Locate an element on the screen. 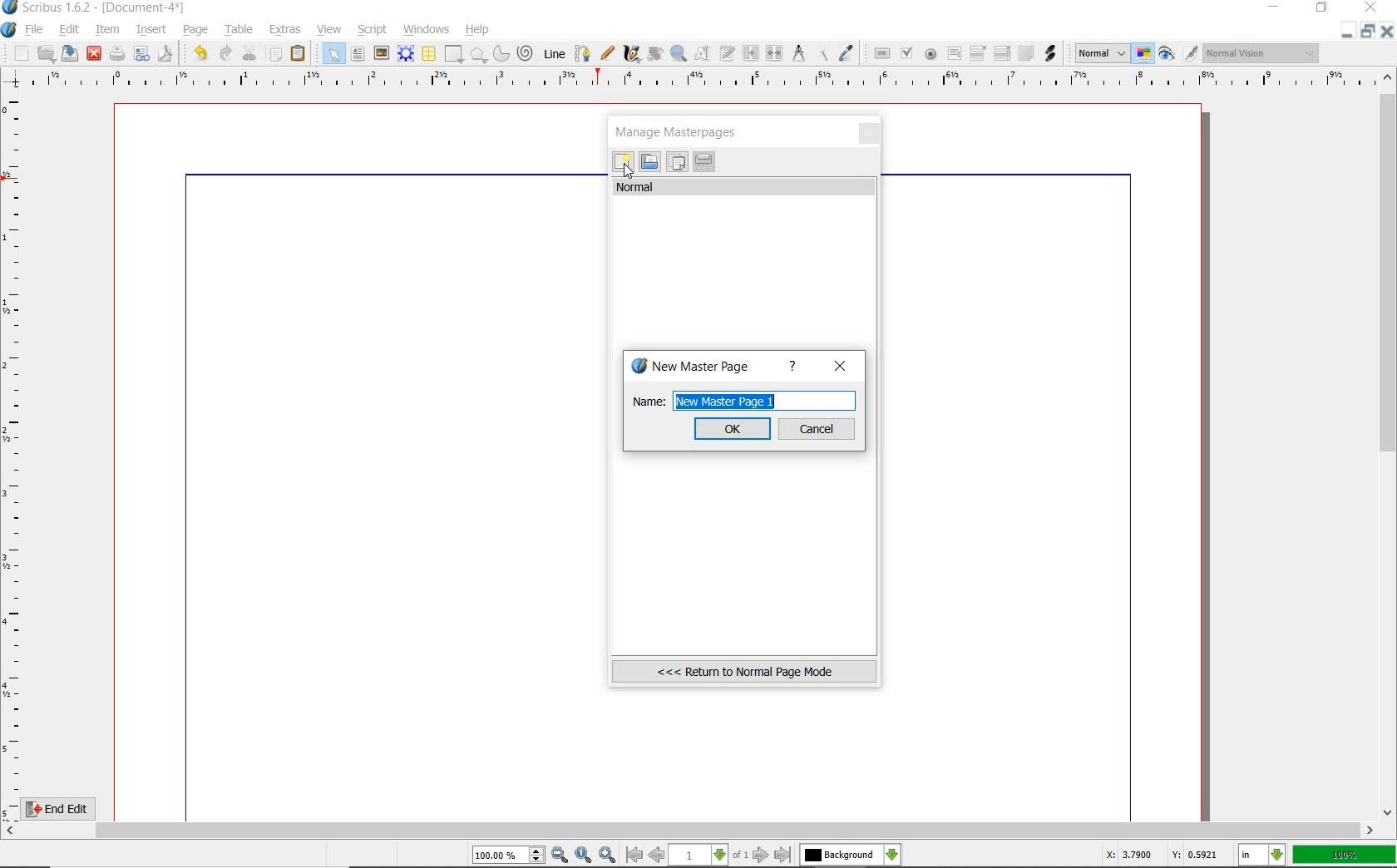  X: 3.7900 Y: 0.5921 is located at coordinates (1162, 855).